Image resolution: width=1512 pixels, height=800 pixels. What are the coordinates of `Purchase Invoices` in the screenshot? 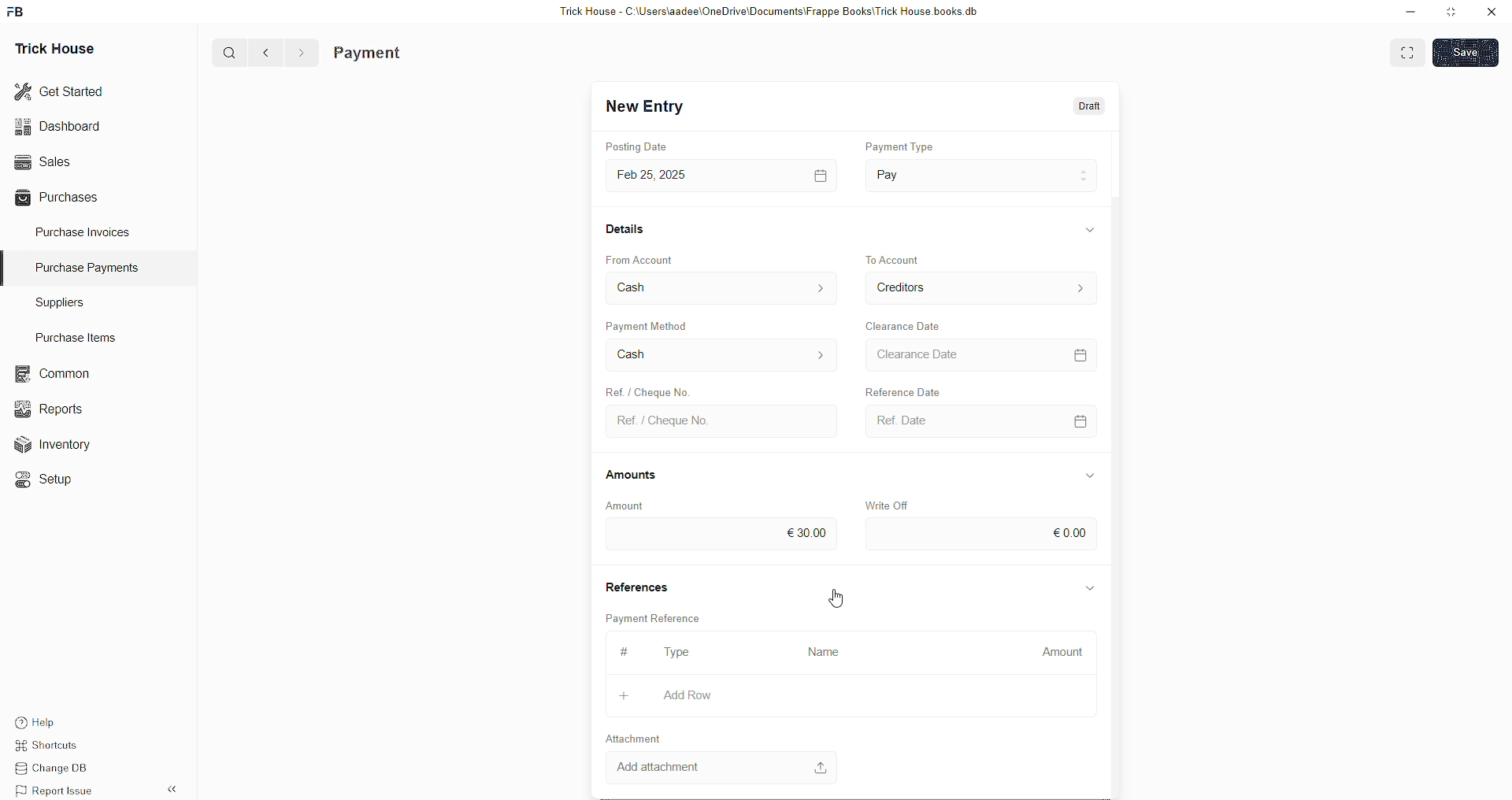 It's located at (85, 231).